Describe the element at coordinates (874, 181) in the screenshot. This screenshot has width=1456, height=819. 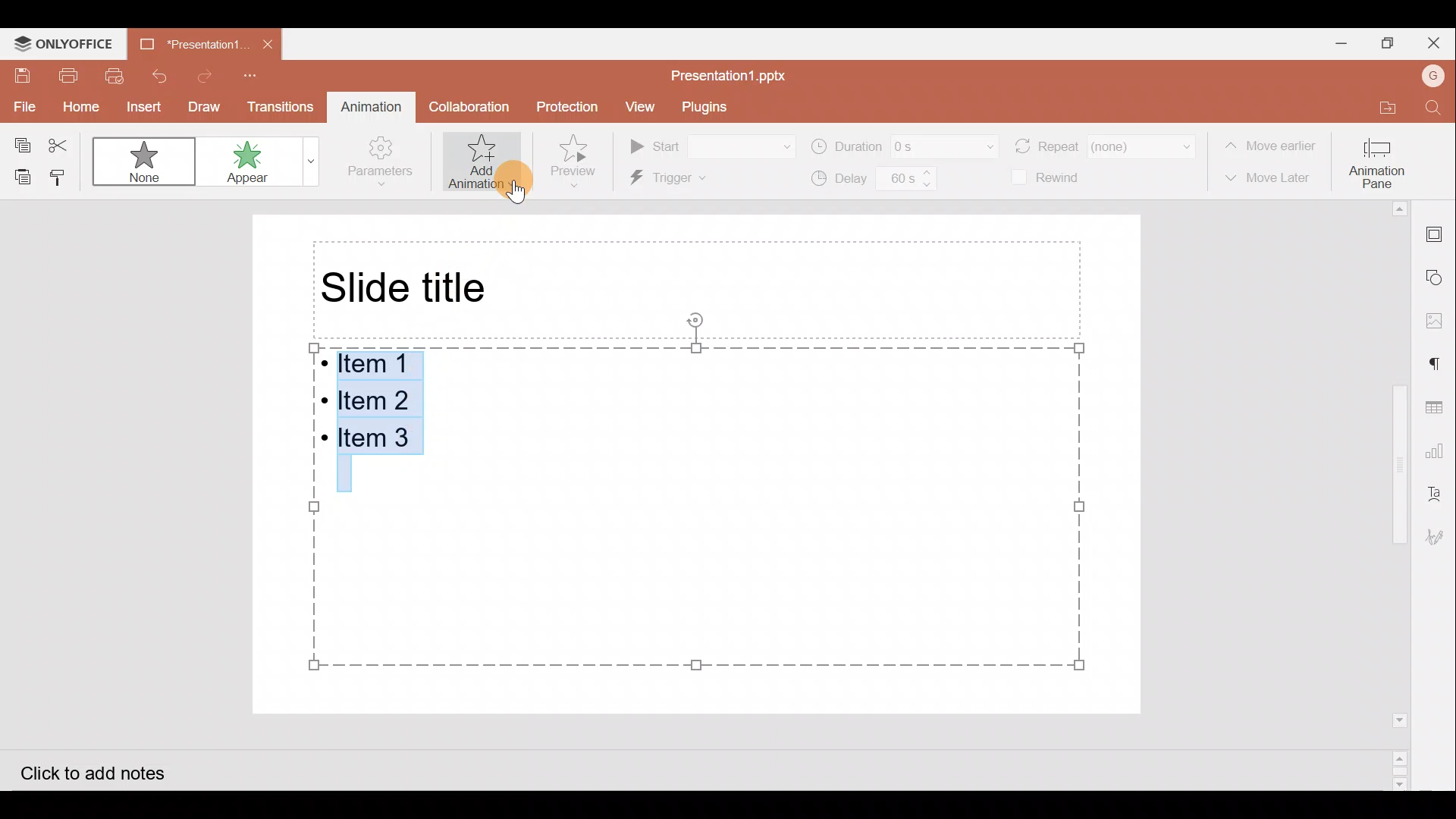
I see `Delay` at that location.